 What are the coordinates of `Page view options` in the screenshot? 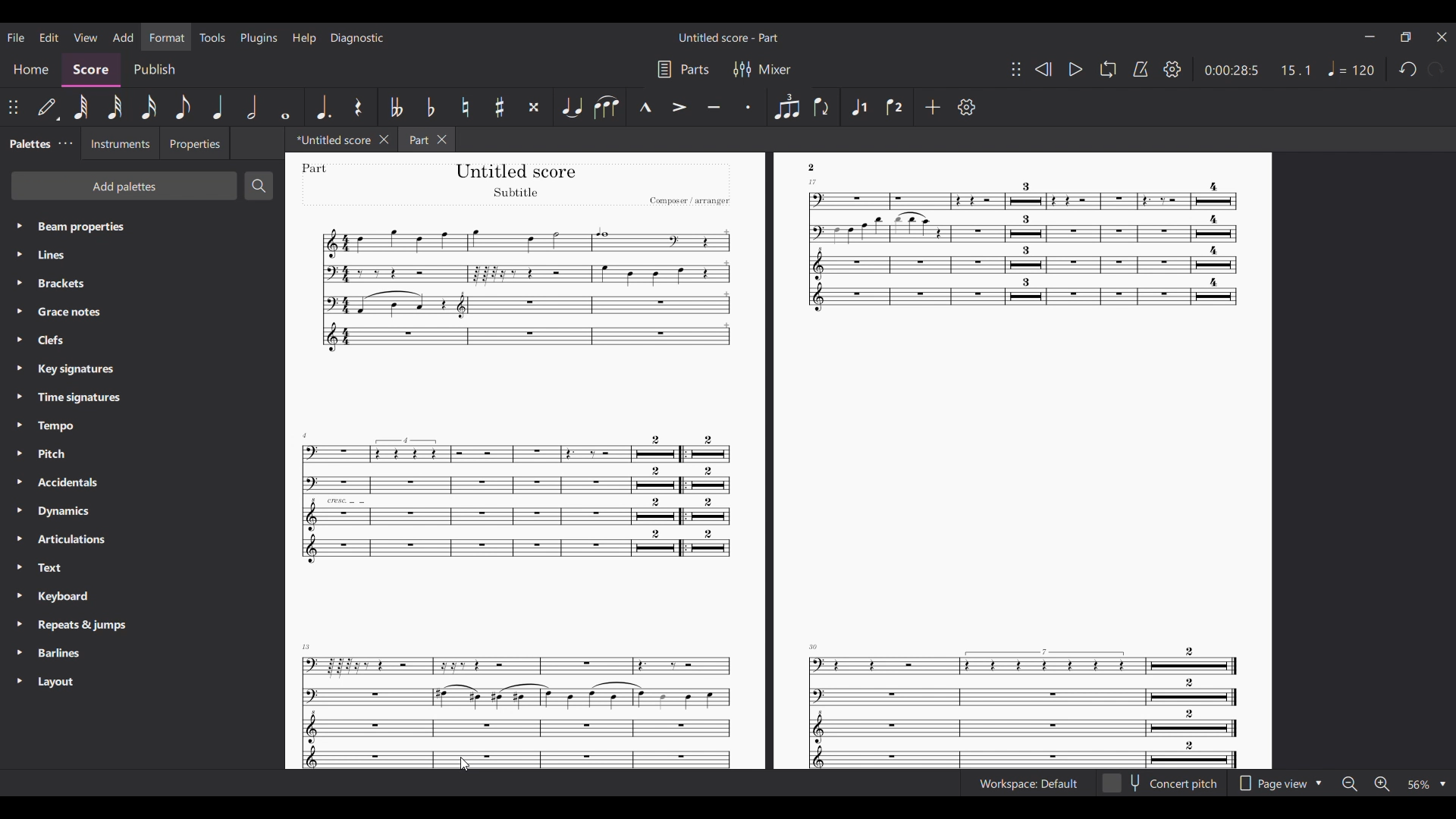 It's located at (1279, 783).